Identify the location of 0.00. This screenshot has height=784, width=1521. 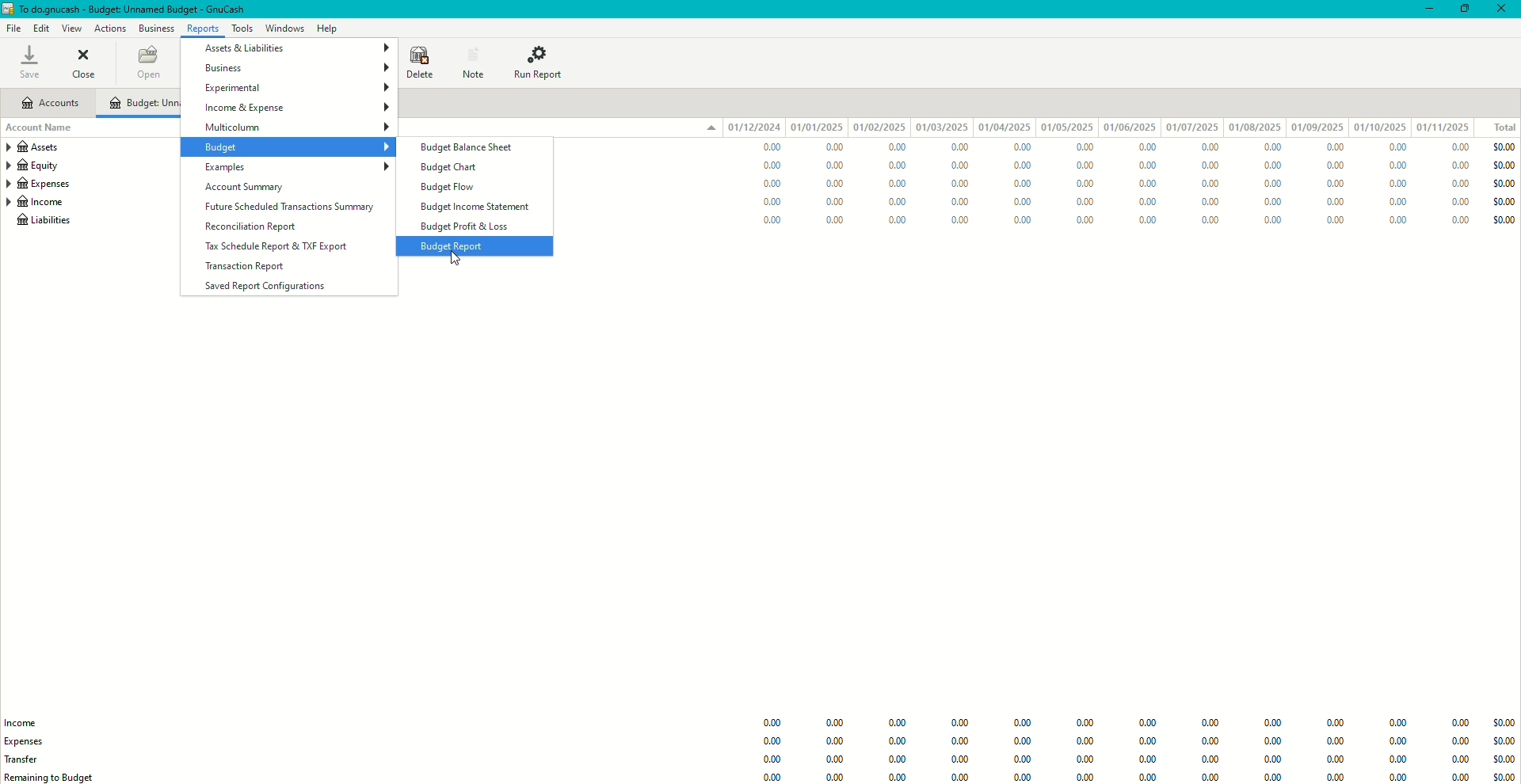
(840, 219).